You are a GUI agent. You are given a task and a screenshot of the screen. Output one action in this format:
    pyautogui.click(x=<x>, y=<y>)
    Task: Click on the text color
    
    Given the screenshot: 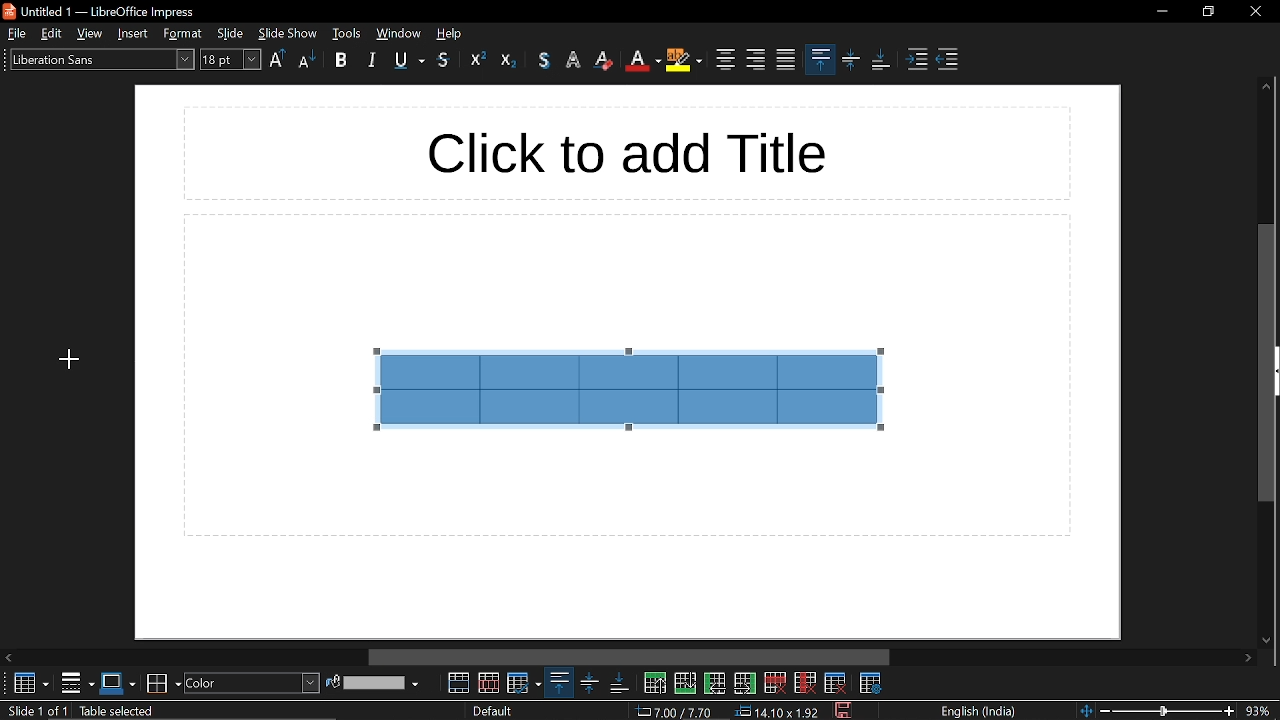 What is the action you would take?
    pyautogui.click(x=643, y=61)
    